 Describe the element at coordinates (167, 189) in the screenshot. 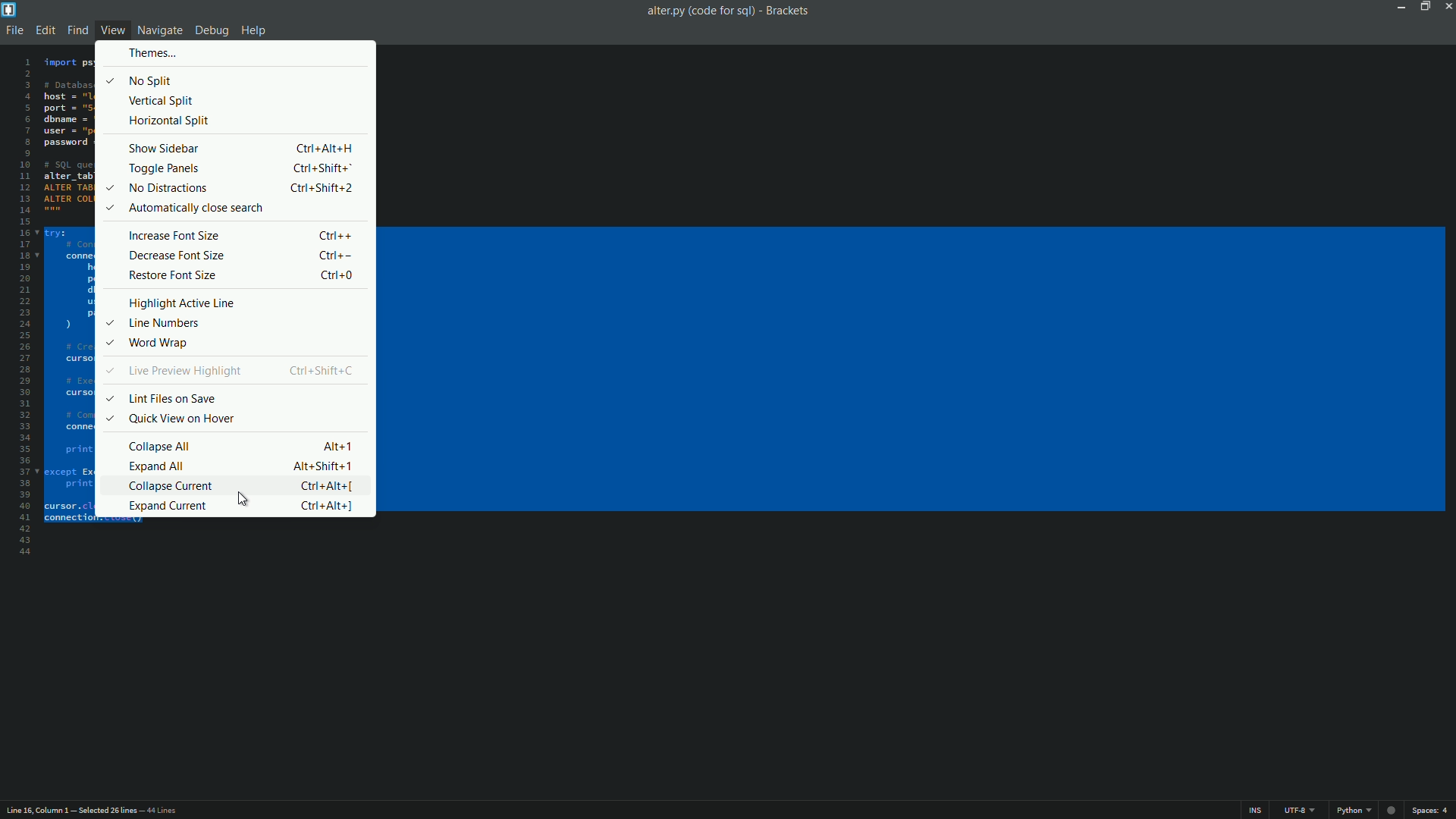

I see `no distractions` at that location.